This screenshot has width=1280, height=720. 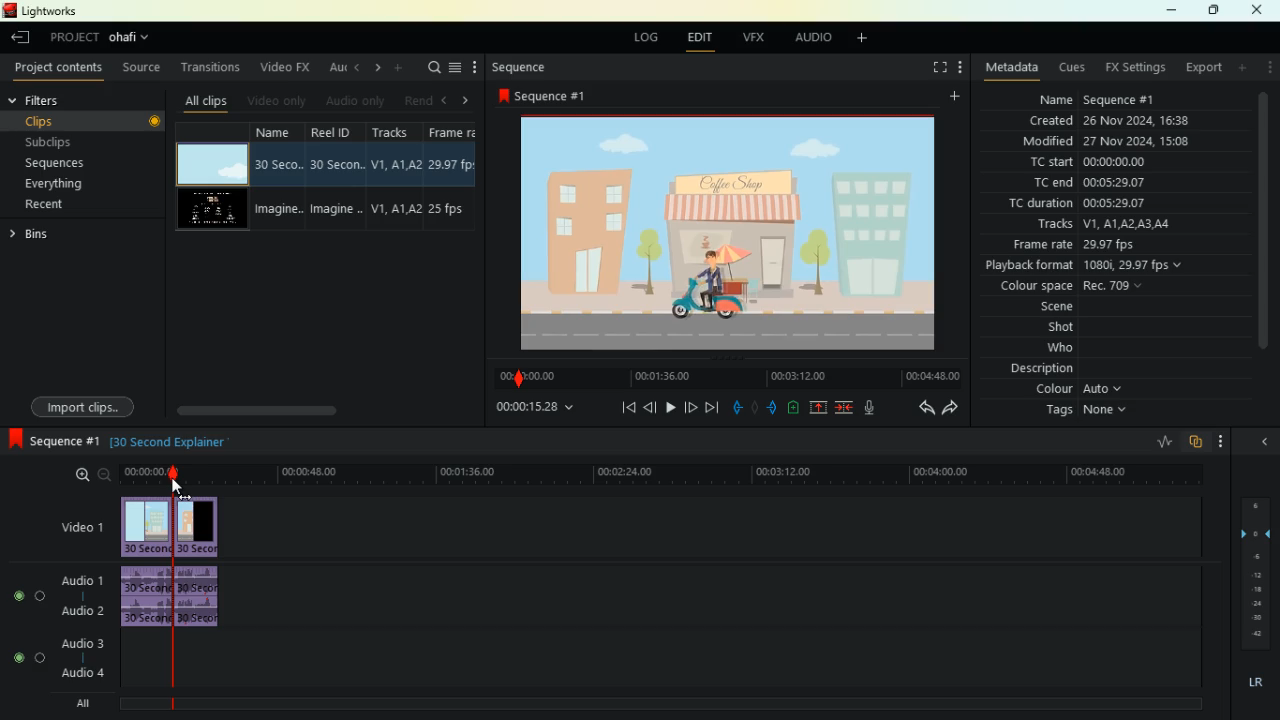 I want to click on name, so click(x=279, y=131).